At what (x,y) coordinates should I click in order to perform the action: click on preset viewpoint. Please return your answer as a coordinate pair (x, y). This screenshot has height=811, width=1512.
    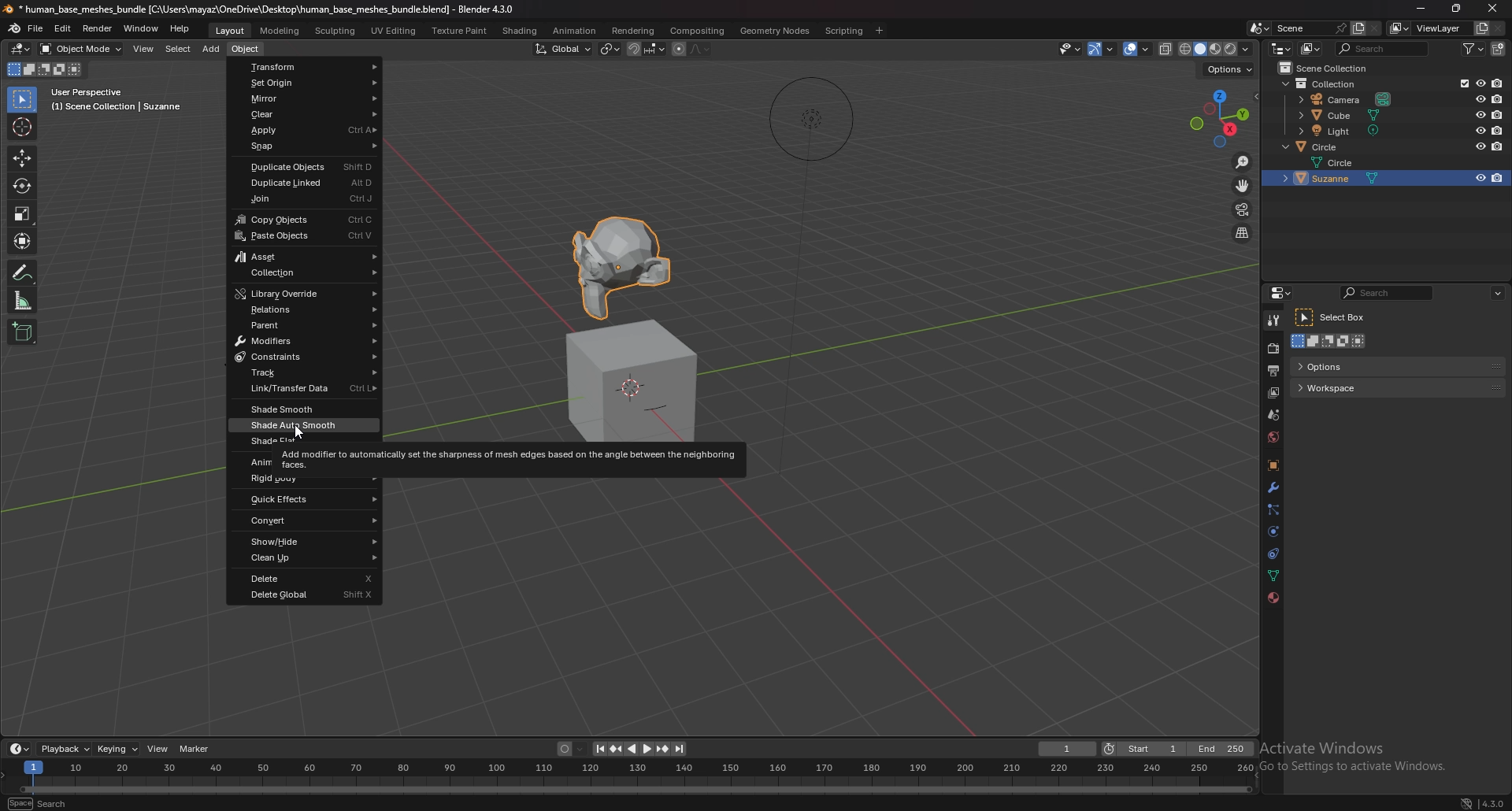
    Looking at the image, I should click on (1222, 118).